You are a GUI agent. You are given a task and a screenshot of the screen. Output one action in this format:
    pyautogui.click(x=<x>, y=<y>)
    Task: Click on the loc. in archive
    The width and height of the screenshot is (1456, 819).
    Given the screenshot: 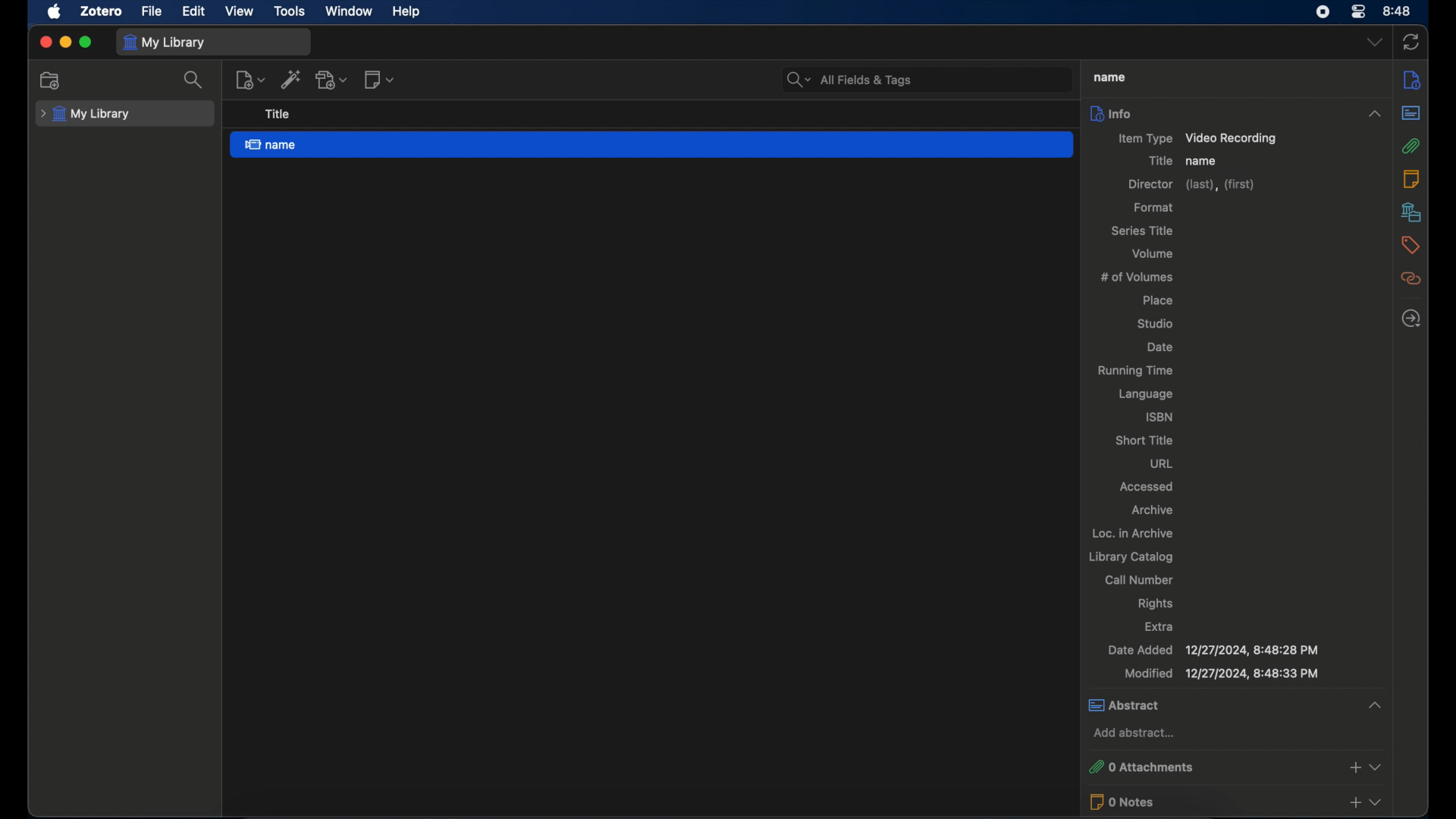 What is the action you would take?
    pyautogui.click(x=1133, y=532)
    